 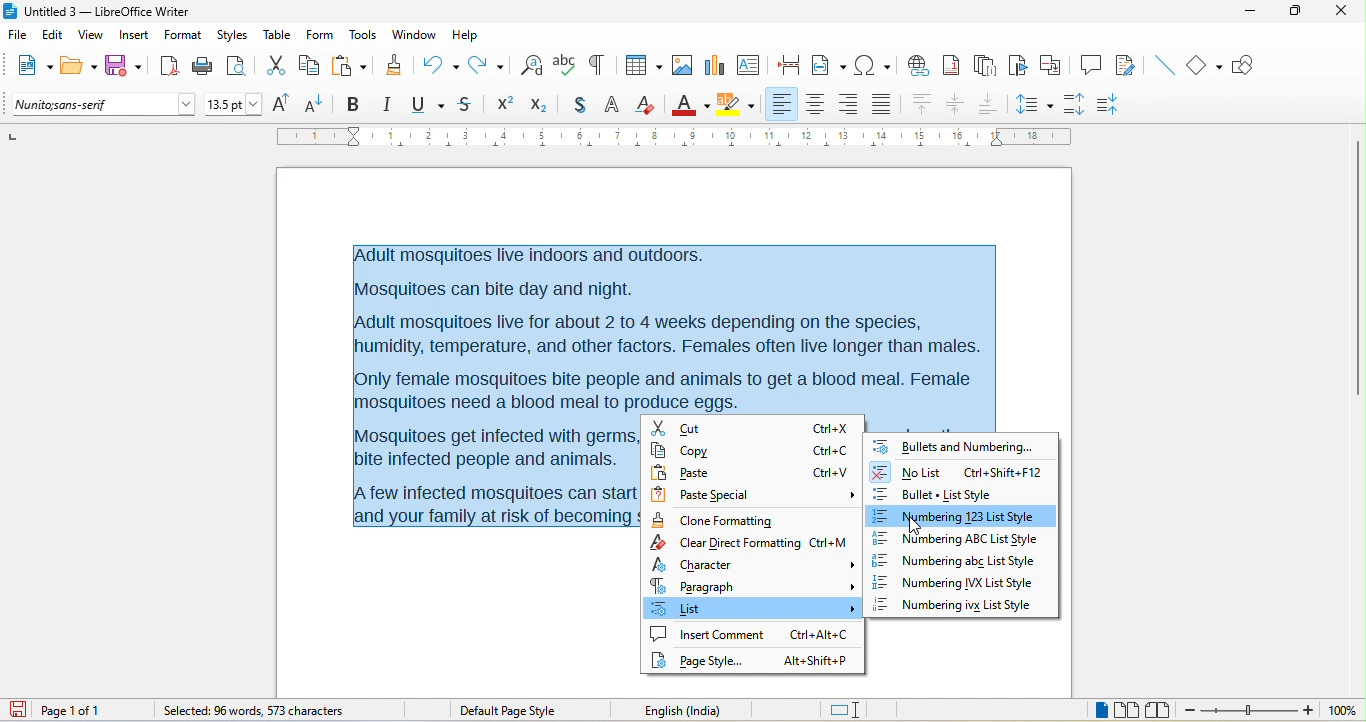 What do you see at coordinates (489, 64) in the screenshot?
I see `redo` at bounding box center [489, 64].